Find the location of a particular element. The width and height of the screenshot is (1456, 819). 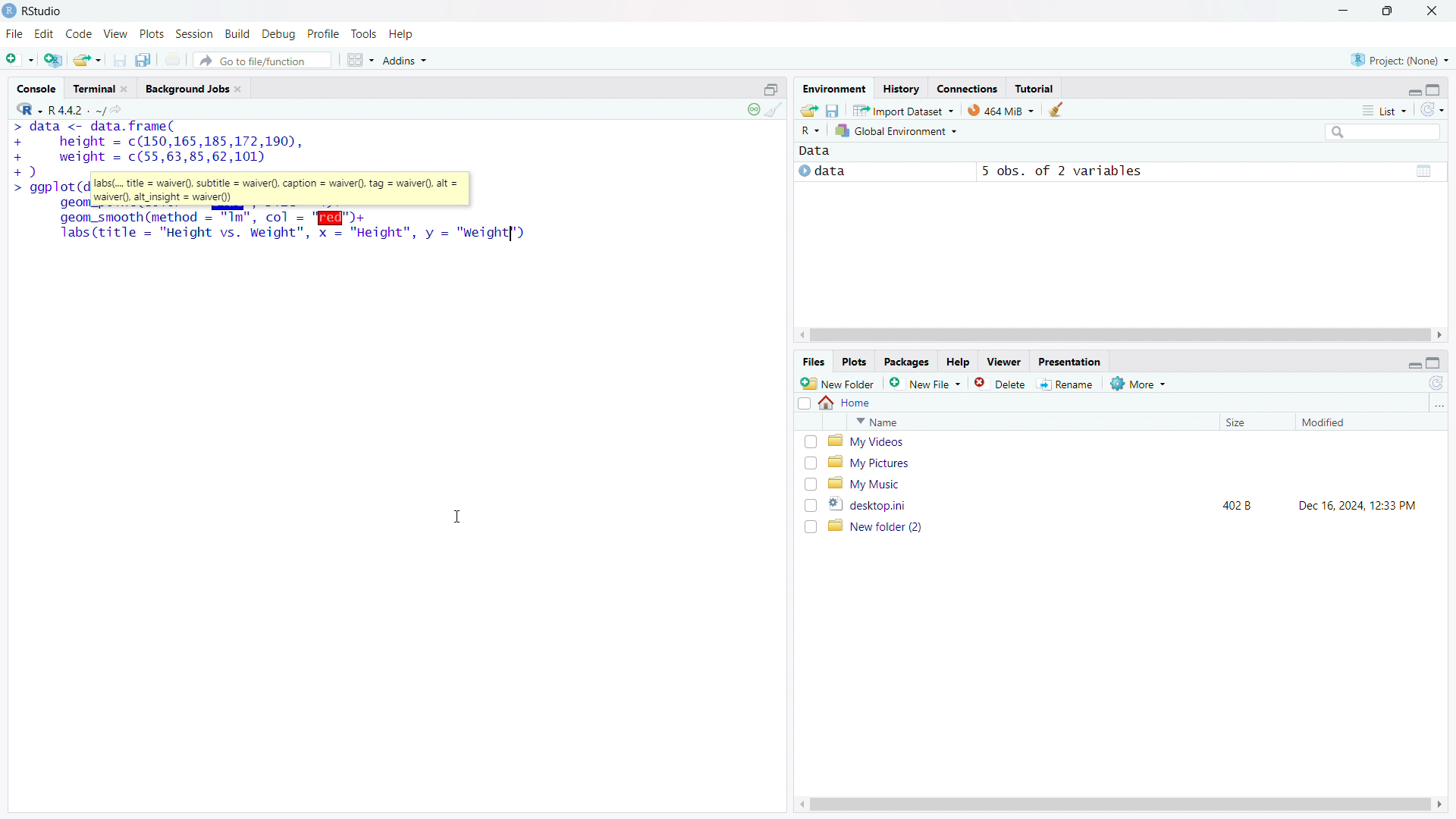

viewer is located at coordinates (1004, 362).